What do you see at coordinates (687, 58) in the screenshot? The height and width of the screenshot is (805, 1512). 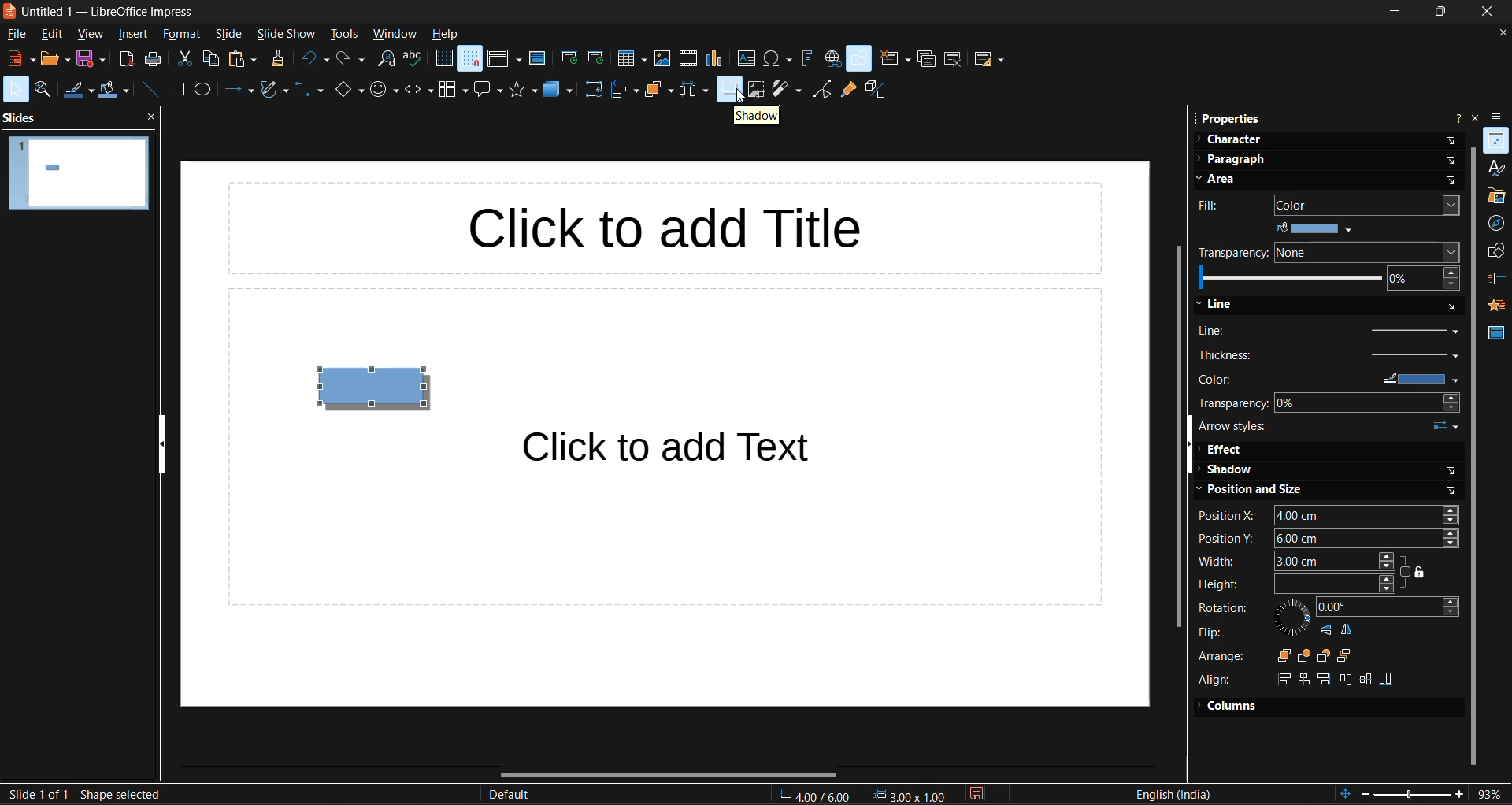 I see `insert audio or video` at bounding box center [687, 58].